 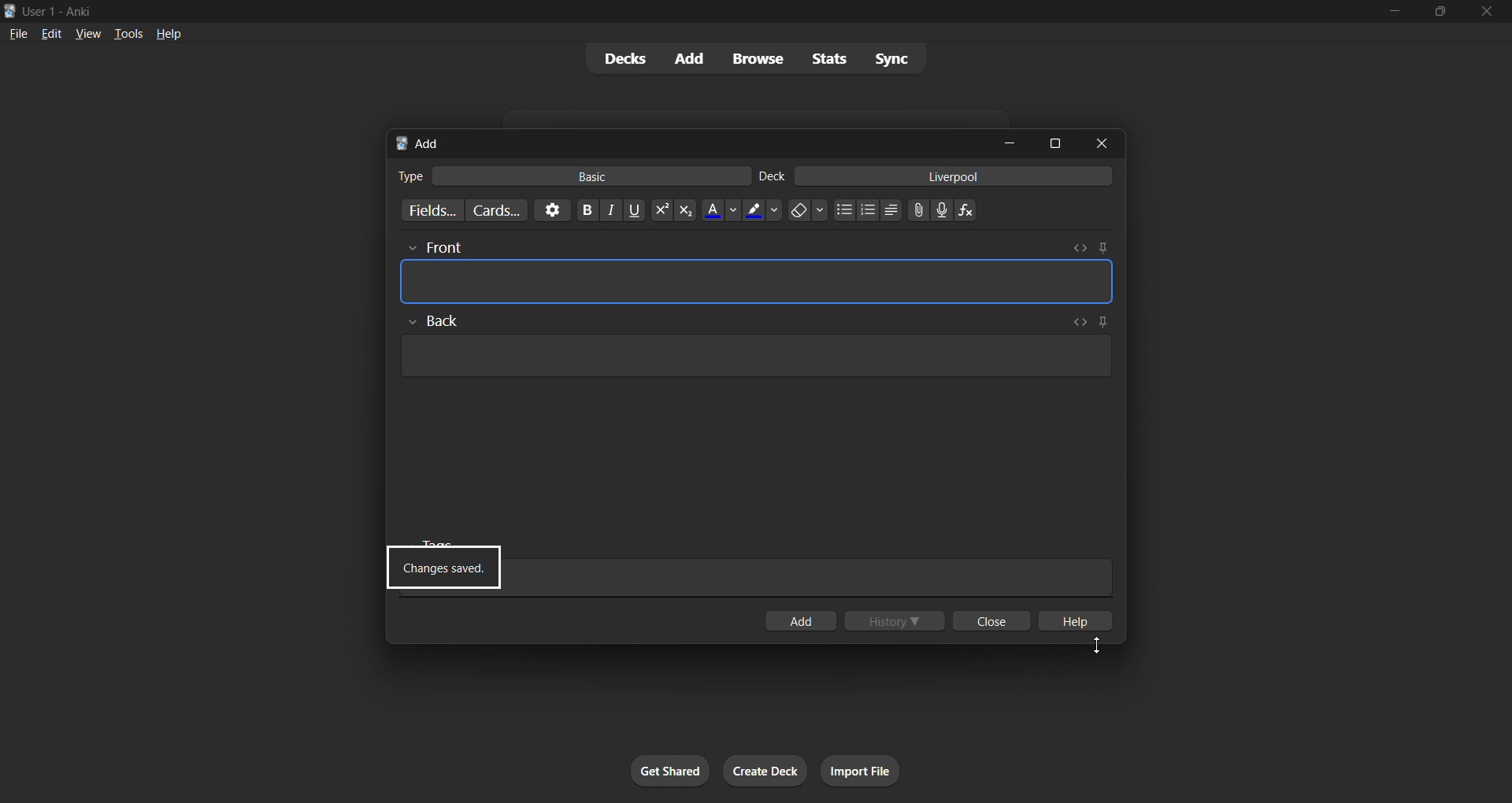 I want to click on italic, so click(x=610, y=212).